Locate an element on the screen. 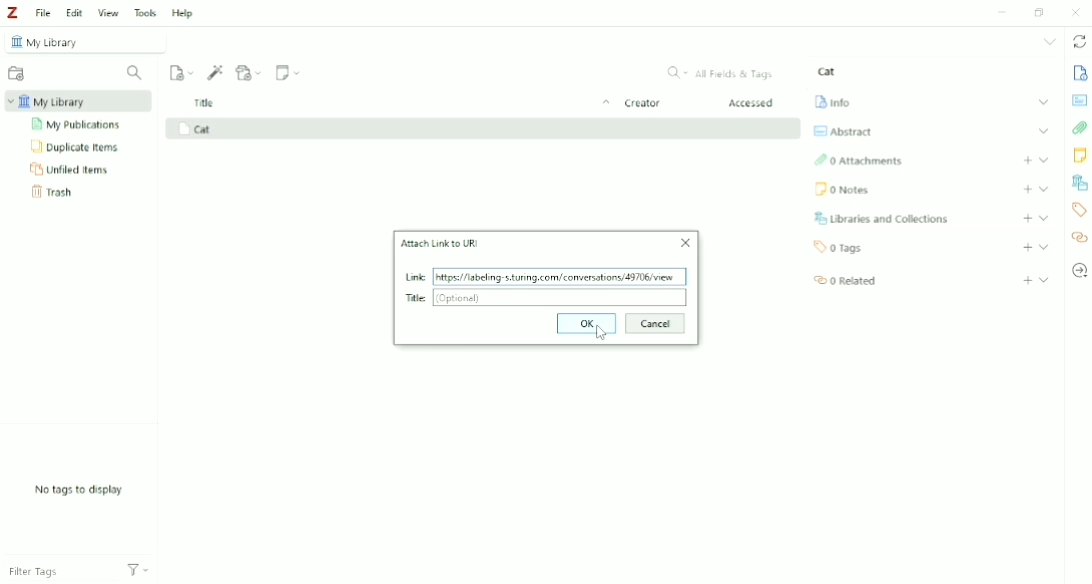  Attachments is located at coordinates (1080, 129).